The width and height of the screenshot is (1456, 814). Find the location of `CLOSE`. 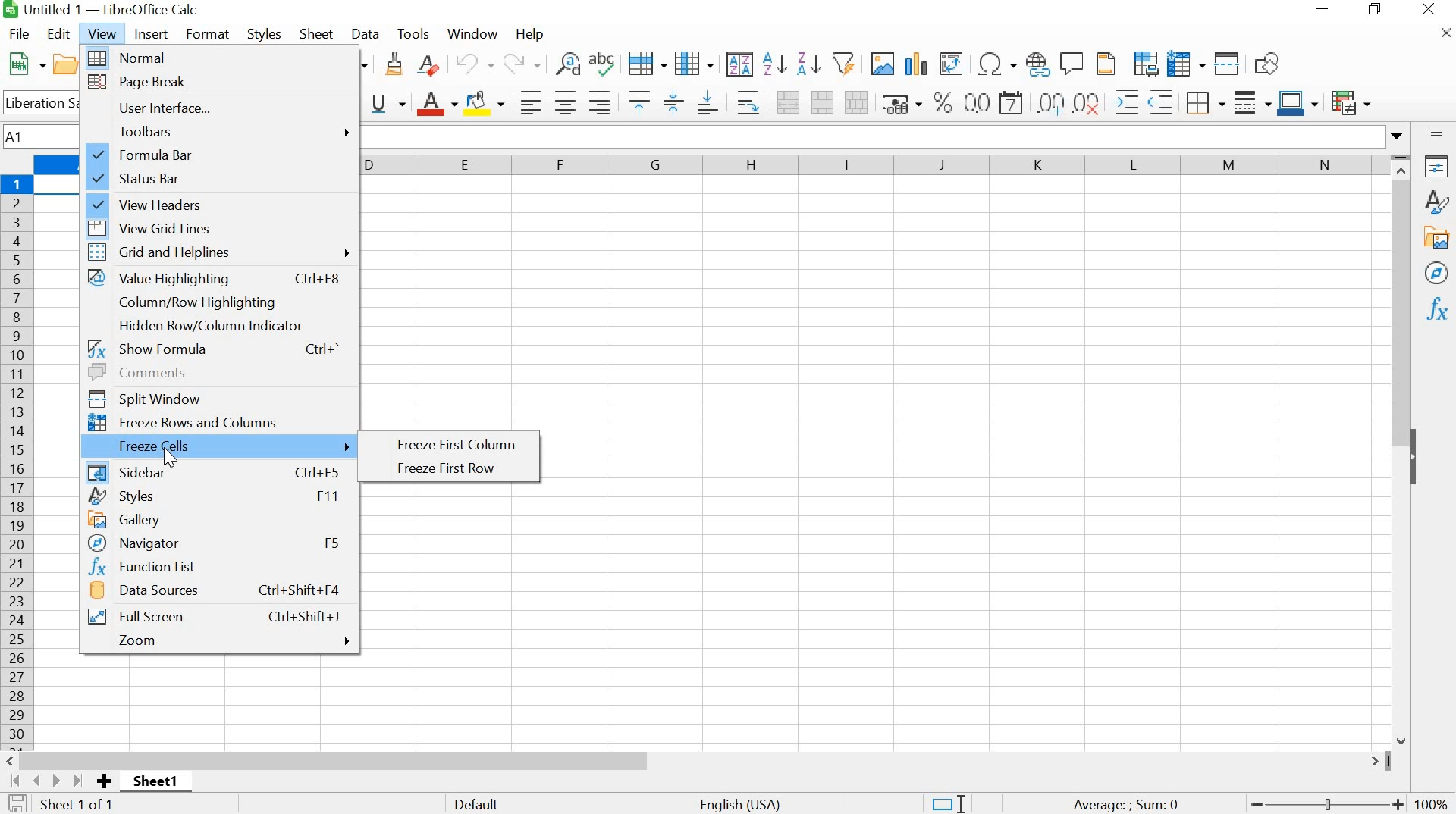

CLOSE is located at coordinates (1429, 11).